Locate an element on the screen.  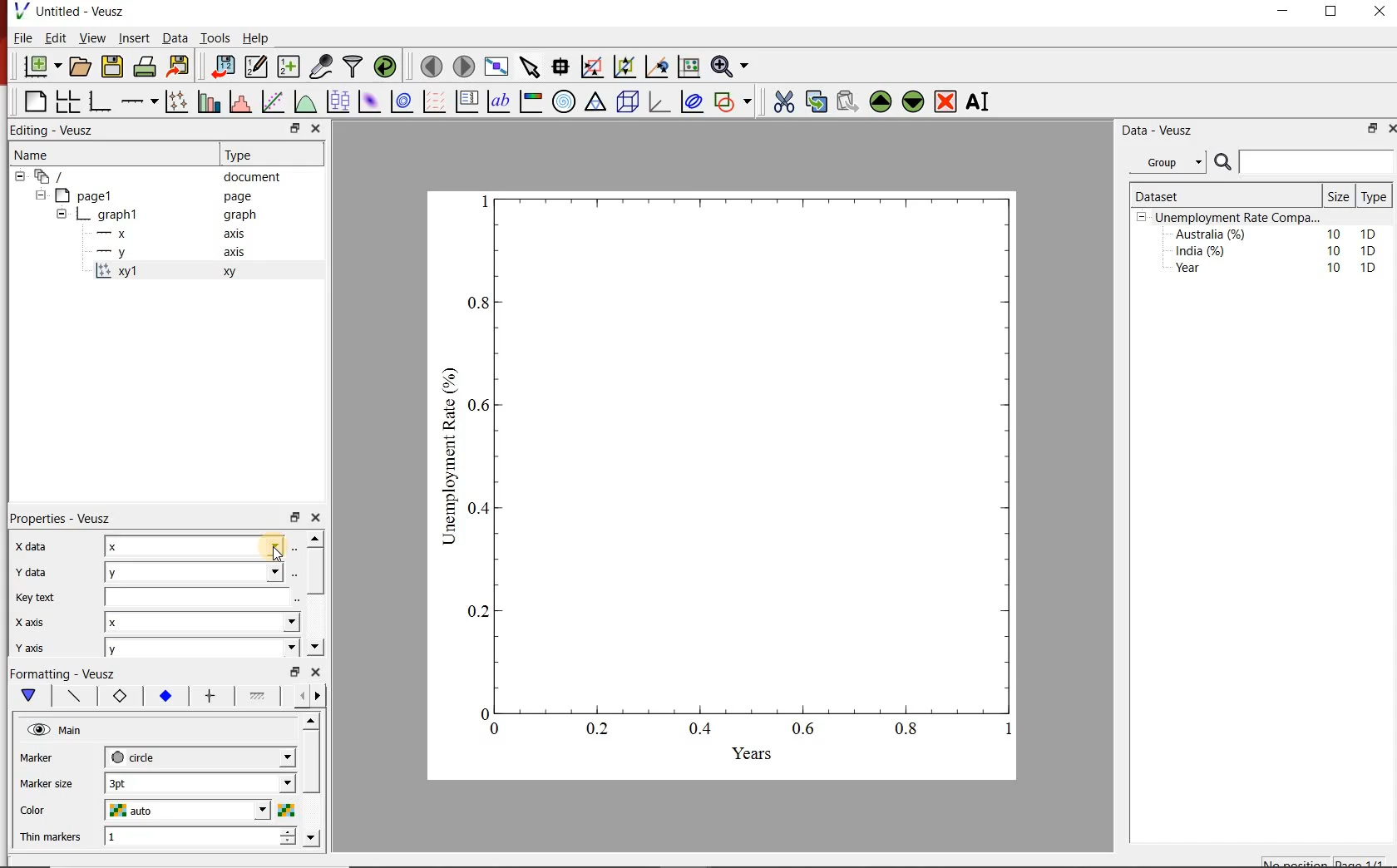
Type is located at coordinates (1373, 197).